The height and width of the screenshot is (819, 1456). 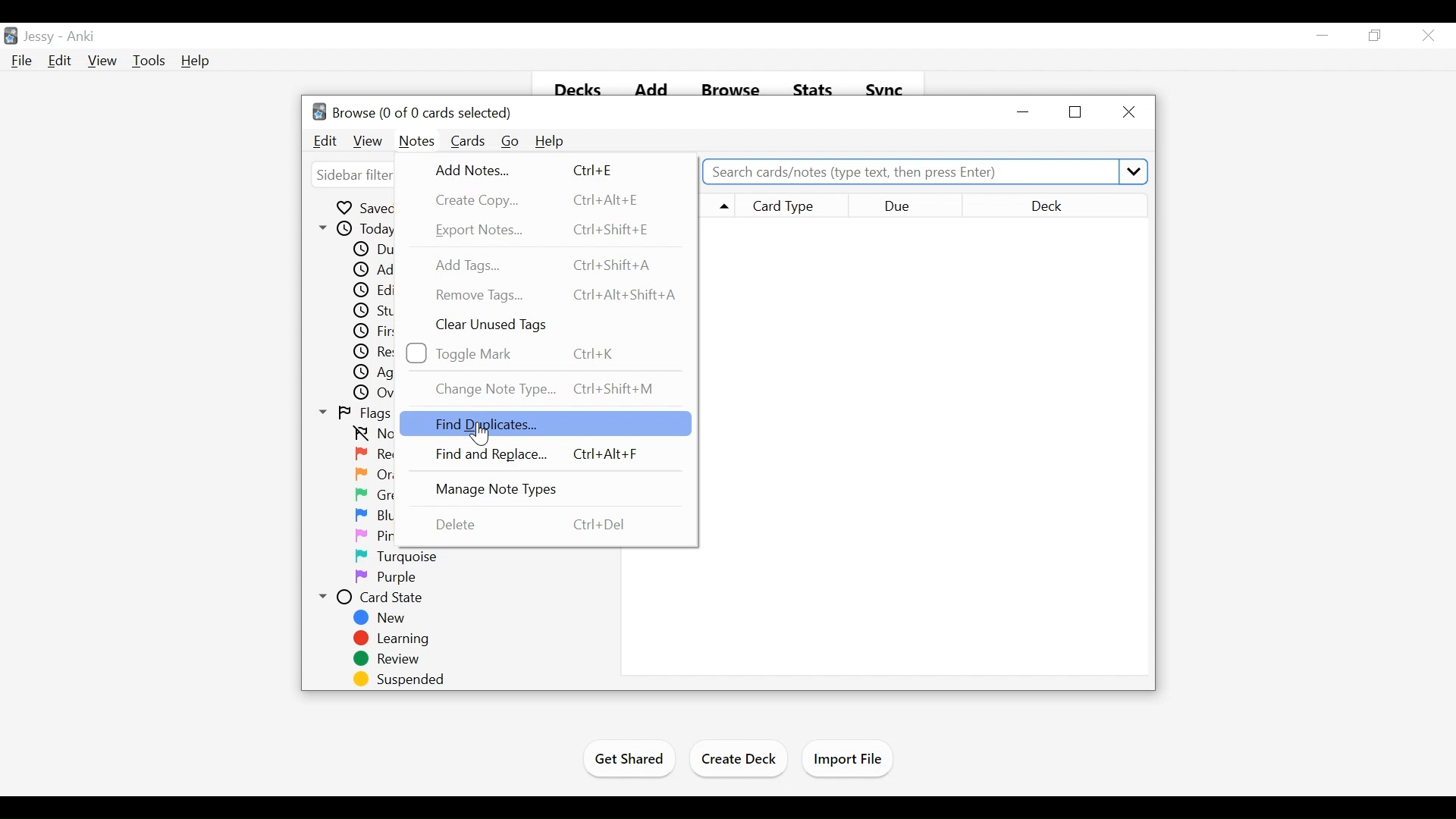 What do you see at coordinates (417, 142) in the screenshot?
I see `Notes` at bounding box center [417, 142].